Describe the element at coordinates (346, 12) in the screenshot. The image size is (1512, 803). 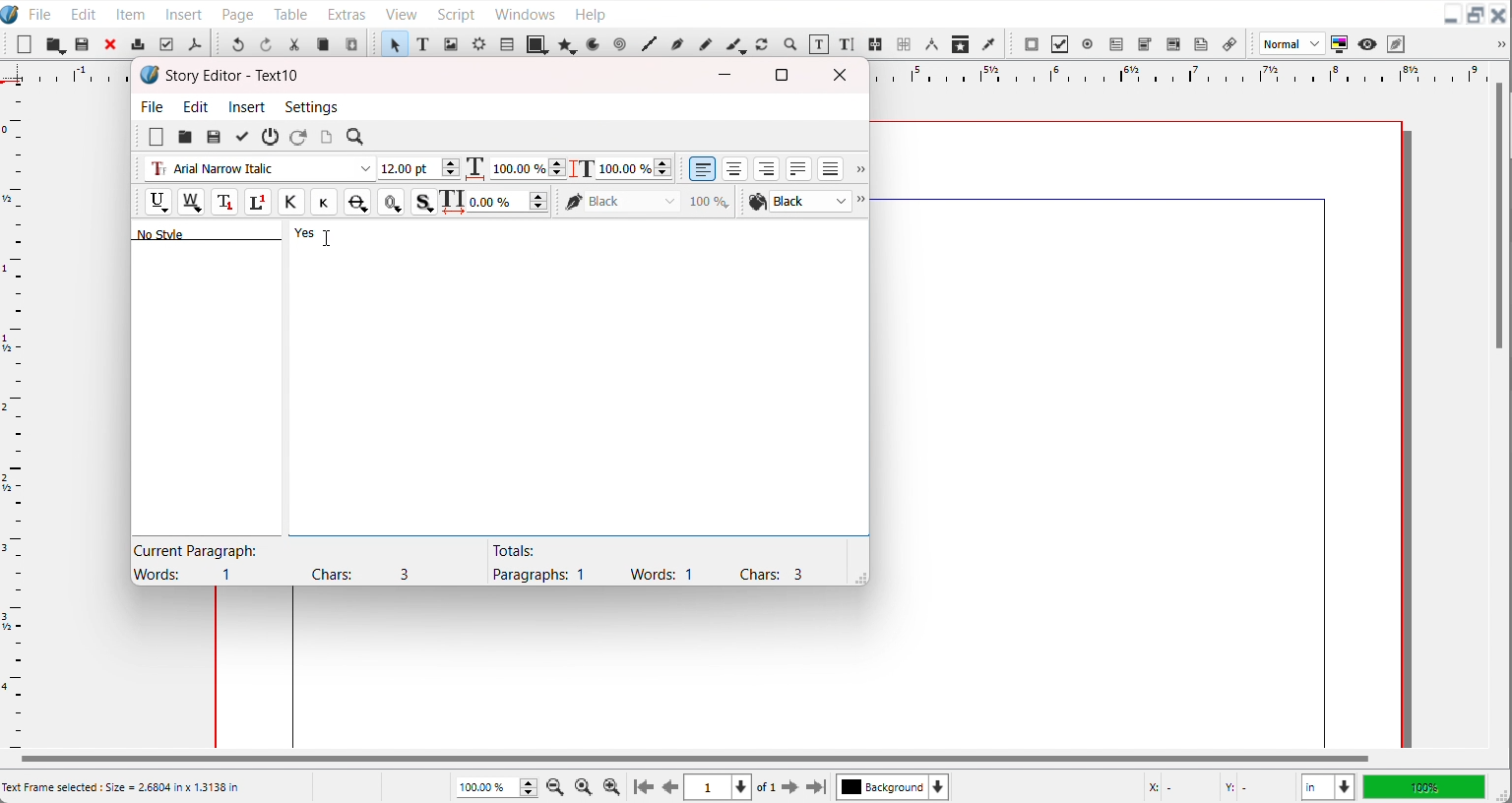
I see `Extras` at that location.